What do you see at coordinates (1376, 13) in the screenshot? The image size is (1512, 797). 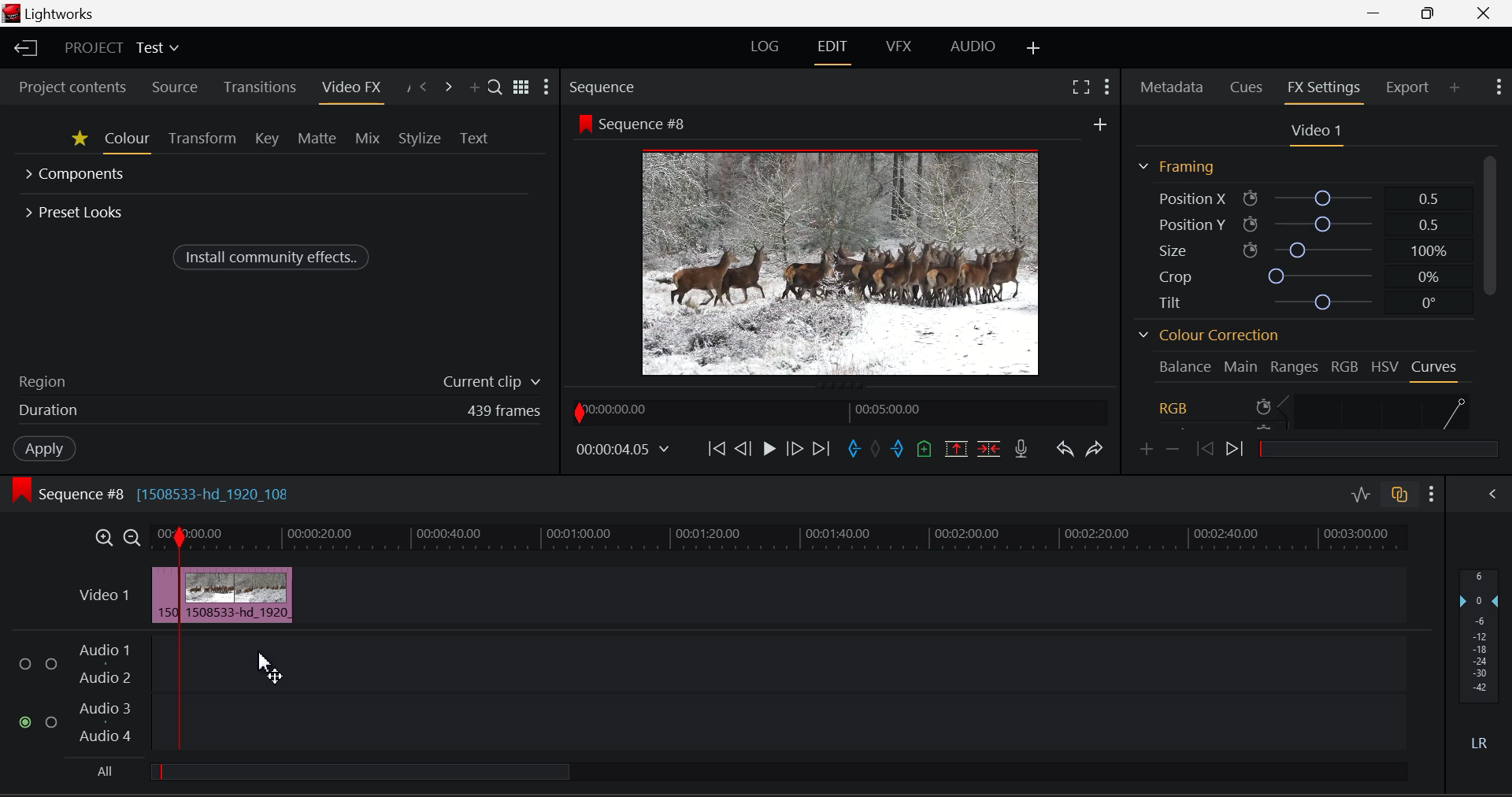 I see `Restore Down` at bounding box center [1376, 13].